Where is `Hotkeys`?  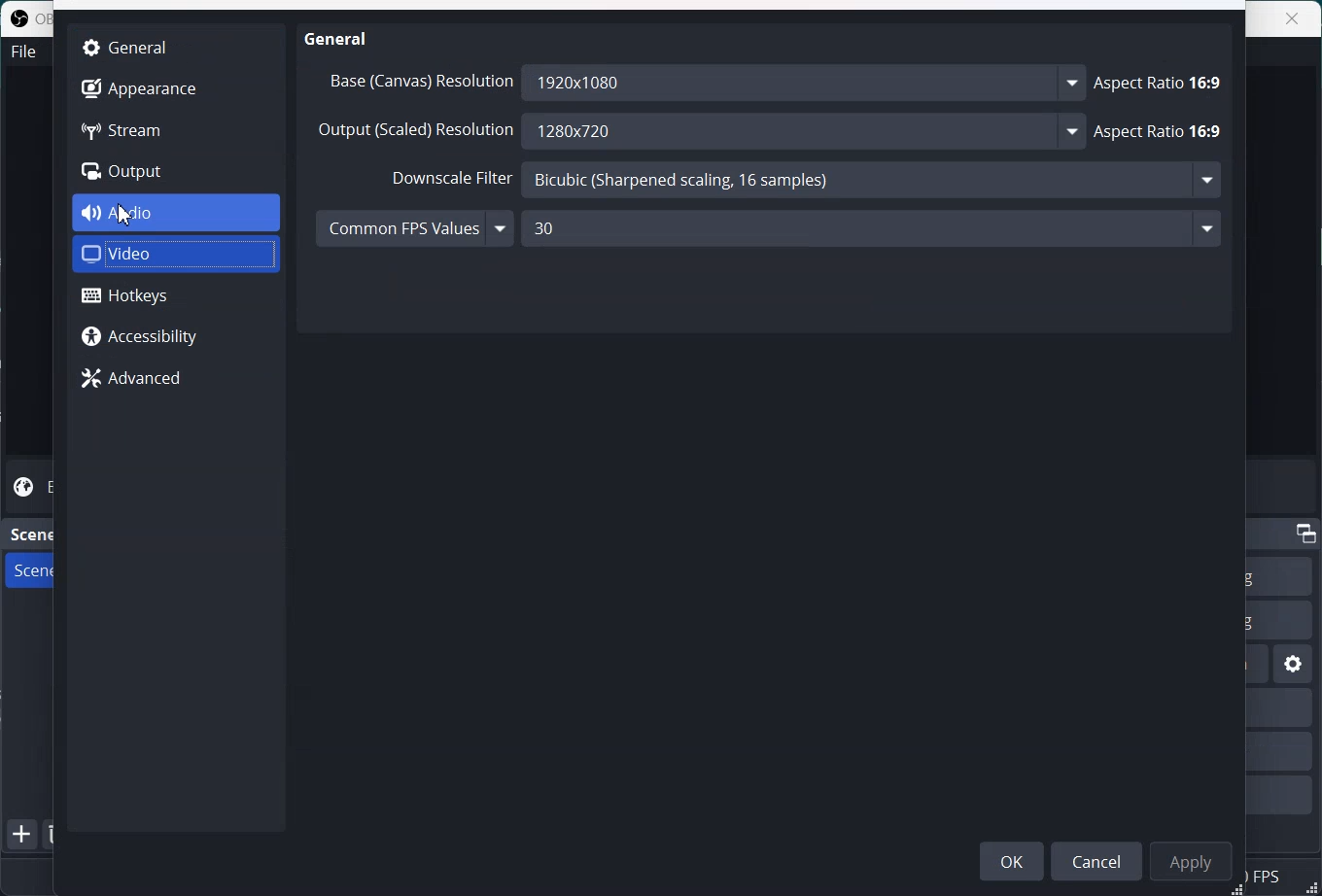
Hotkeys is located at coordinates (177, 293).